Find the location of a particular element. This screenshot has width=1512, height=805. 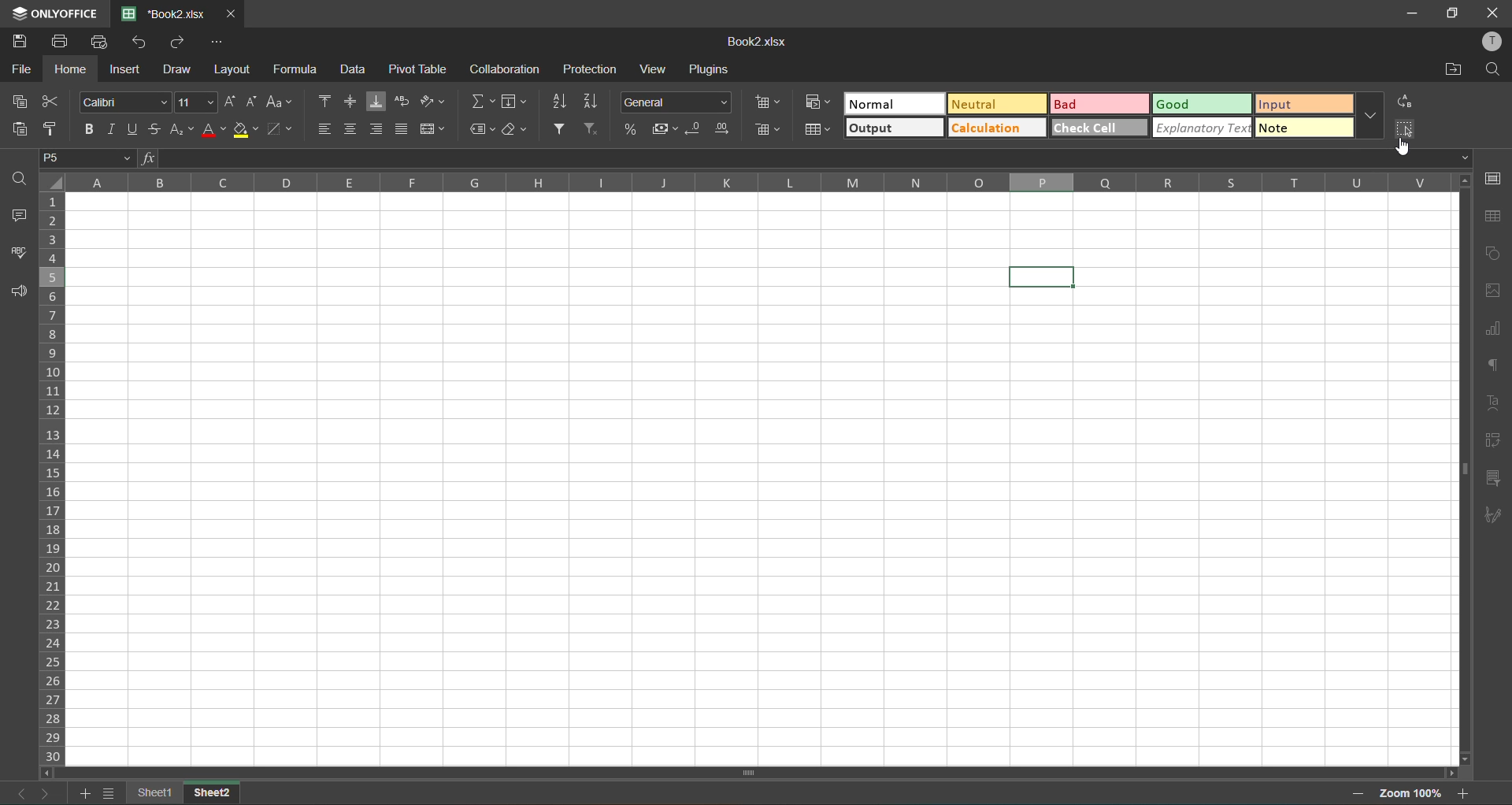

undo is located at coordinates (143, 45).